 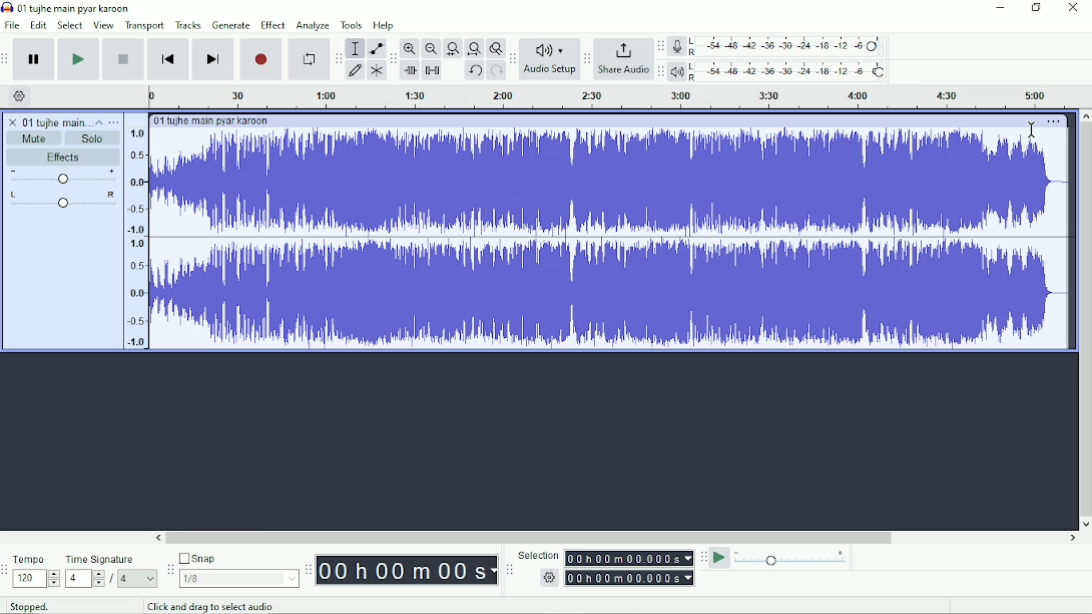 What do you see at coordinates (452, 48) in the screenshot?
I see `Fit selection to width` at bounding box center [452, 48].